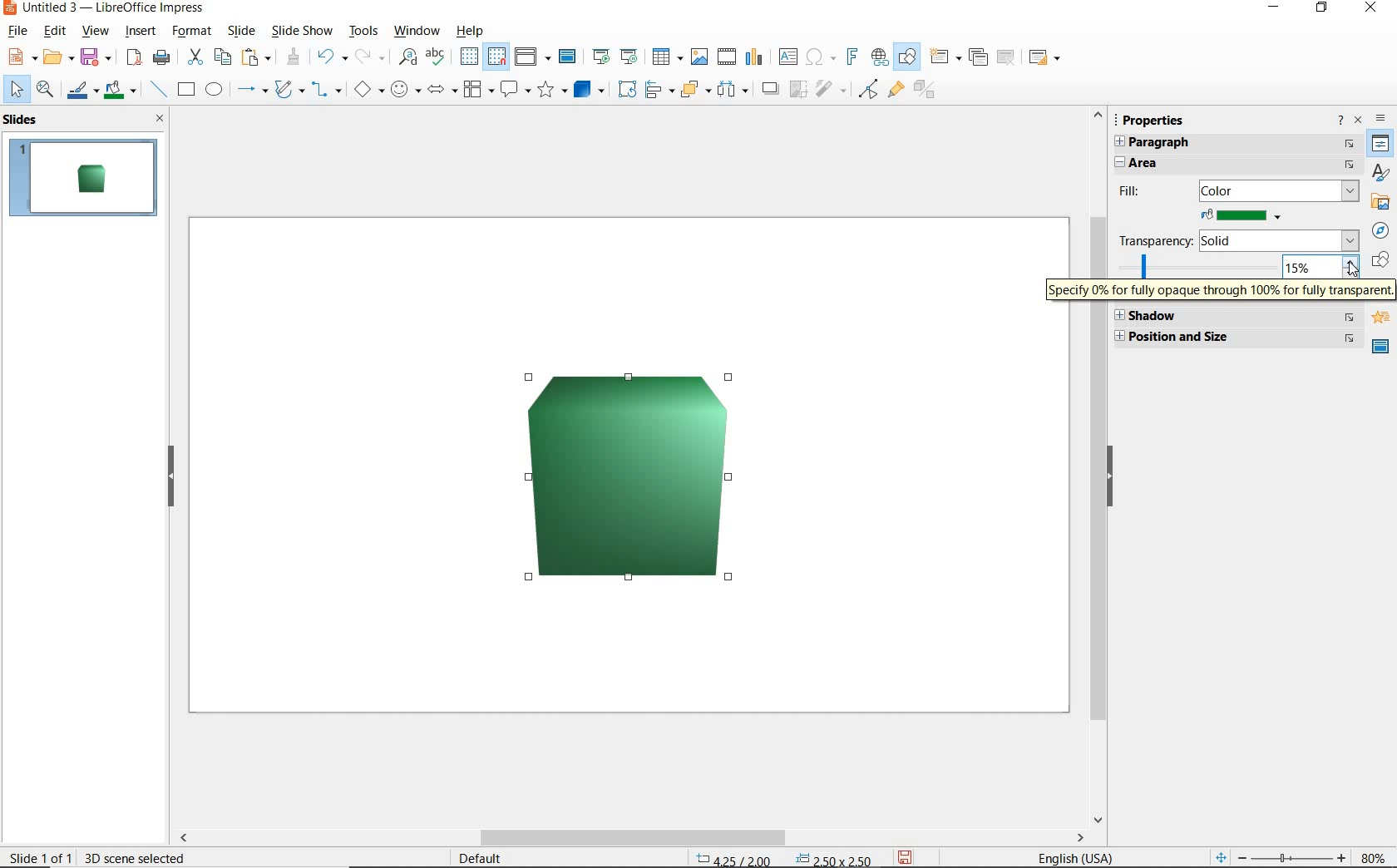  I want to click on PARAGRAPH, so click(1233, 144).